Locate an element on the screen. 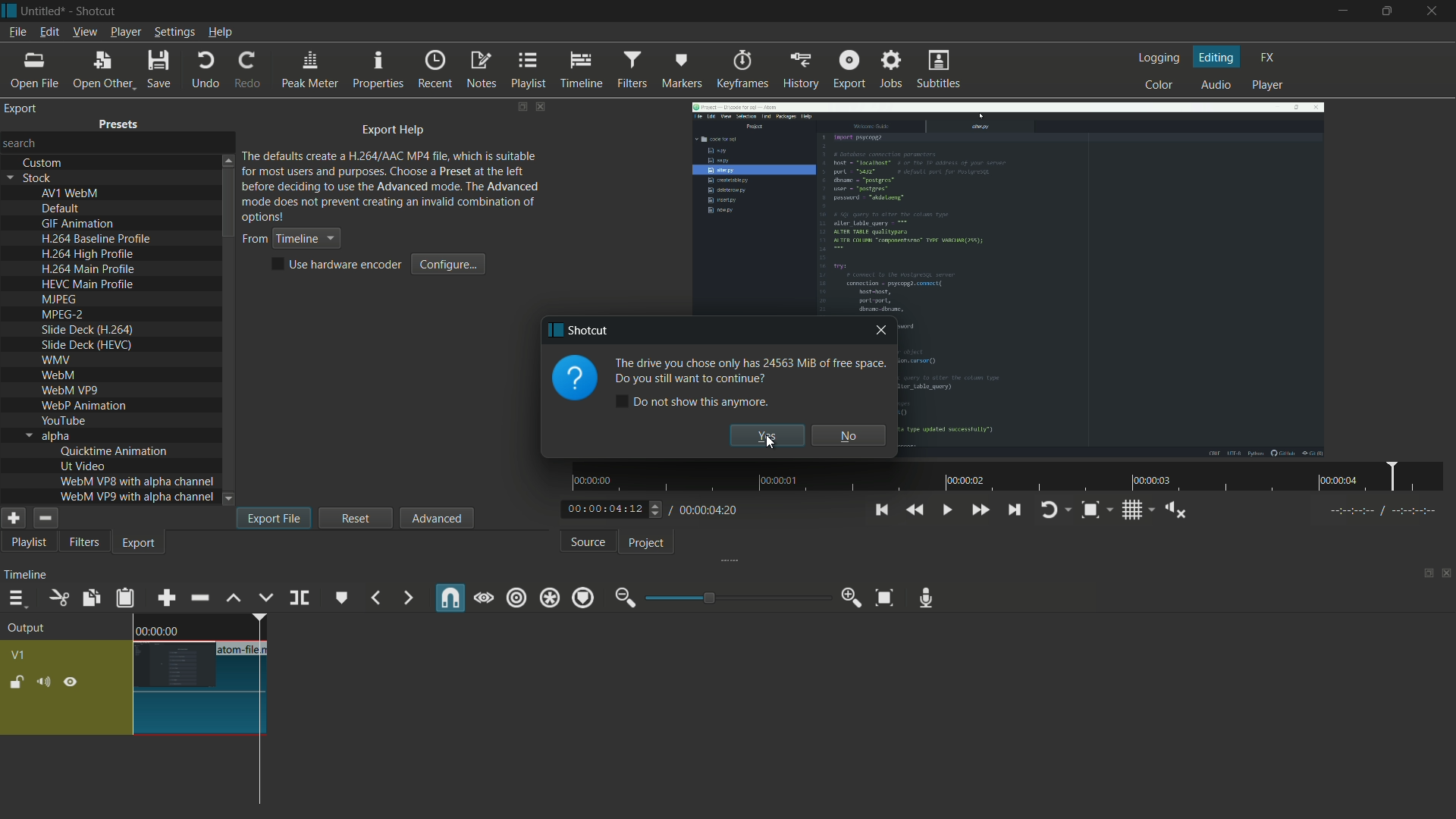 This screenshot has width=1456, height=819. view menu is located at coordinates (83, 32).